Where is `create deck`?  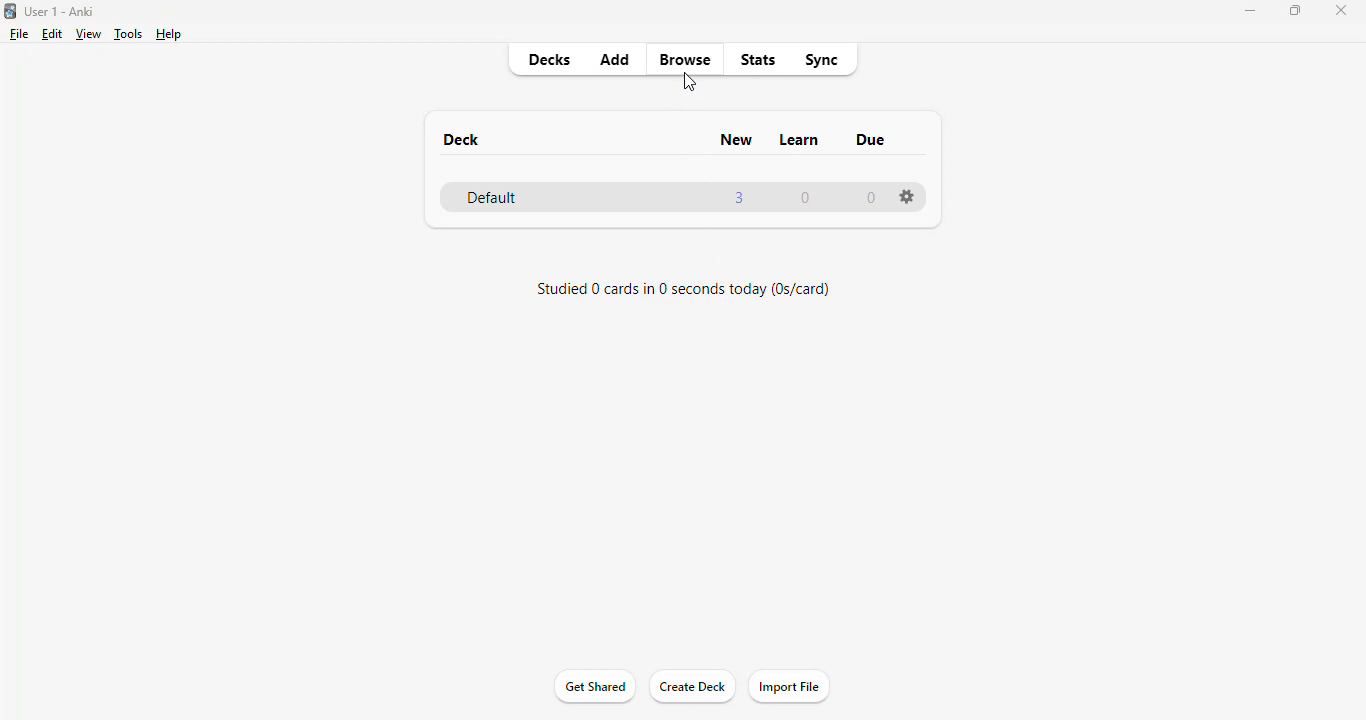
create deck is located at coordinates (692, 688).